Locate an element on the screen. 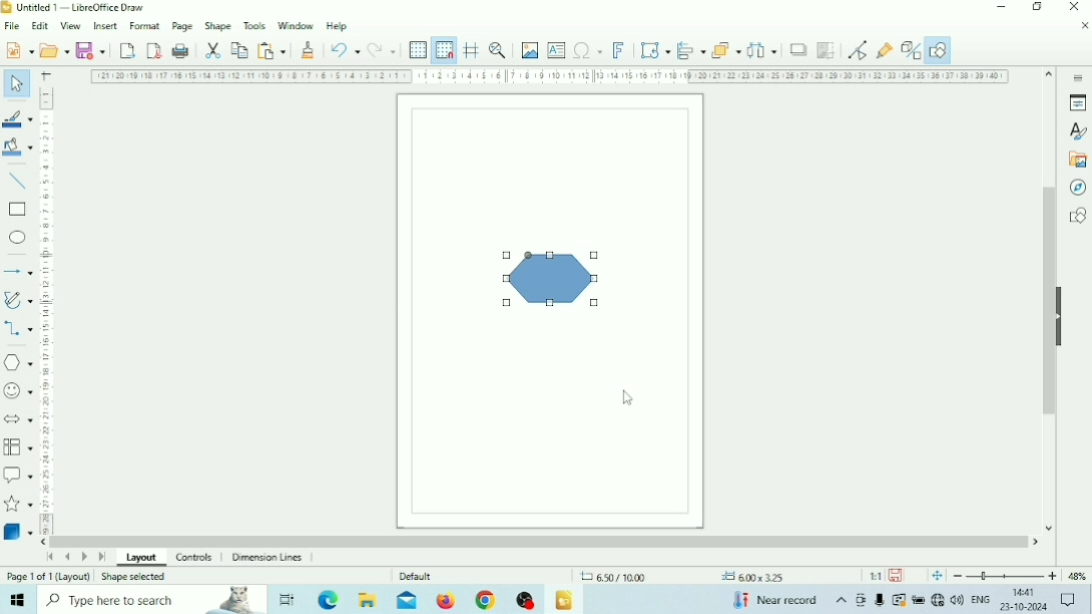  Insert Fontwork Text is located at coordinates (618, 49).